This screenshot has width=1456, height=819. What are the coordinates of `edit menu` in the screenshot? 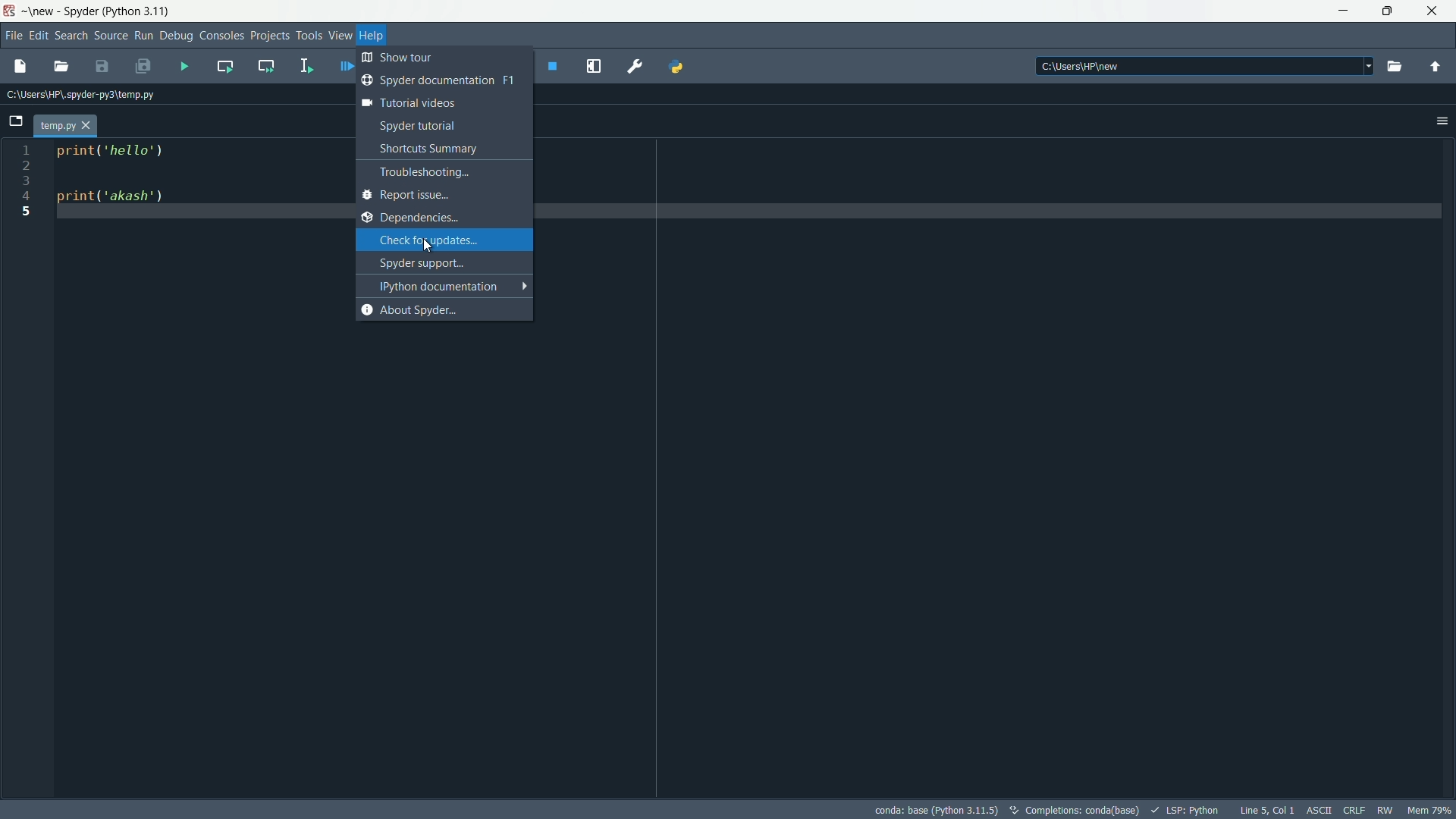 It's located at (39, 35).